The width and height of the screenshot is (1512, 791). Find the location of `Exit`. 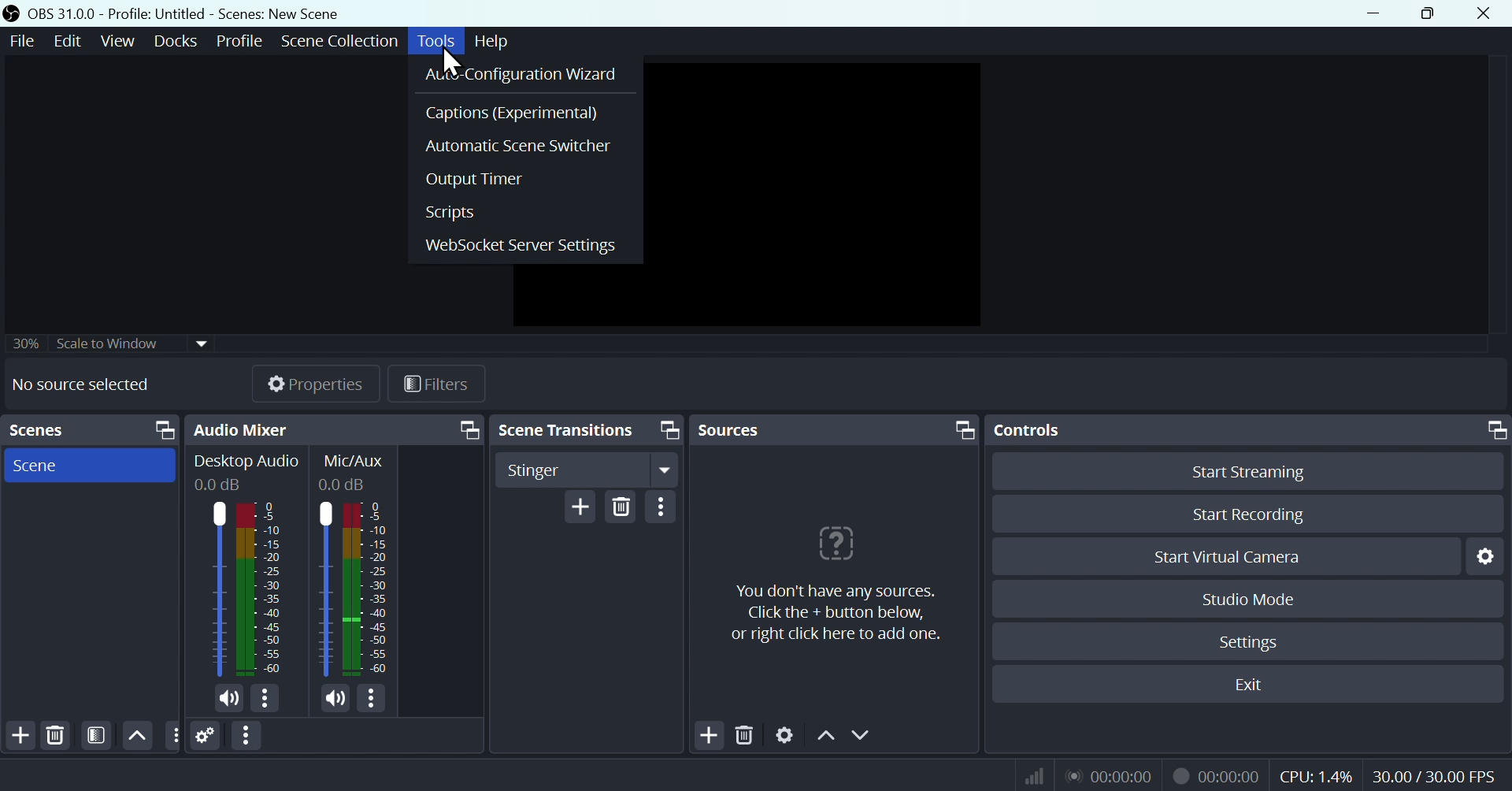

Exit is located at coordinates (1247, 685).